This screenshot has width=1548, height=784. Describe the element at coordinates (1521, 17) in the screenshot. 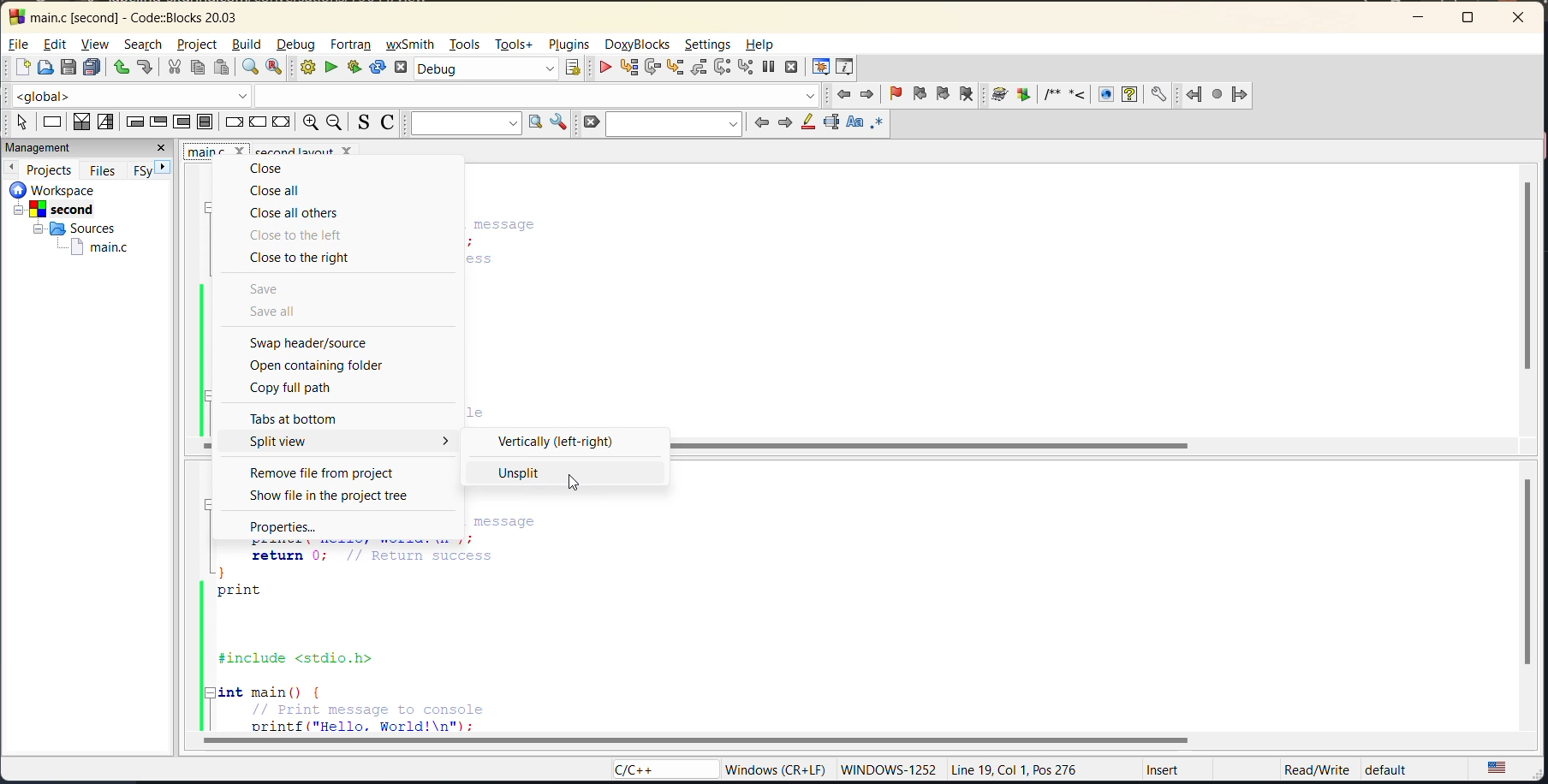

I see `close` at that location.